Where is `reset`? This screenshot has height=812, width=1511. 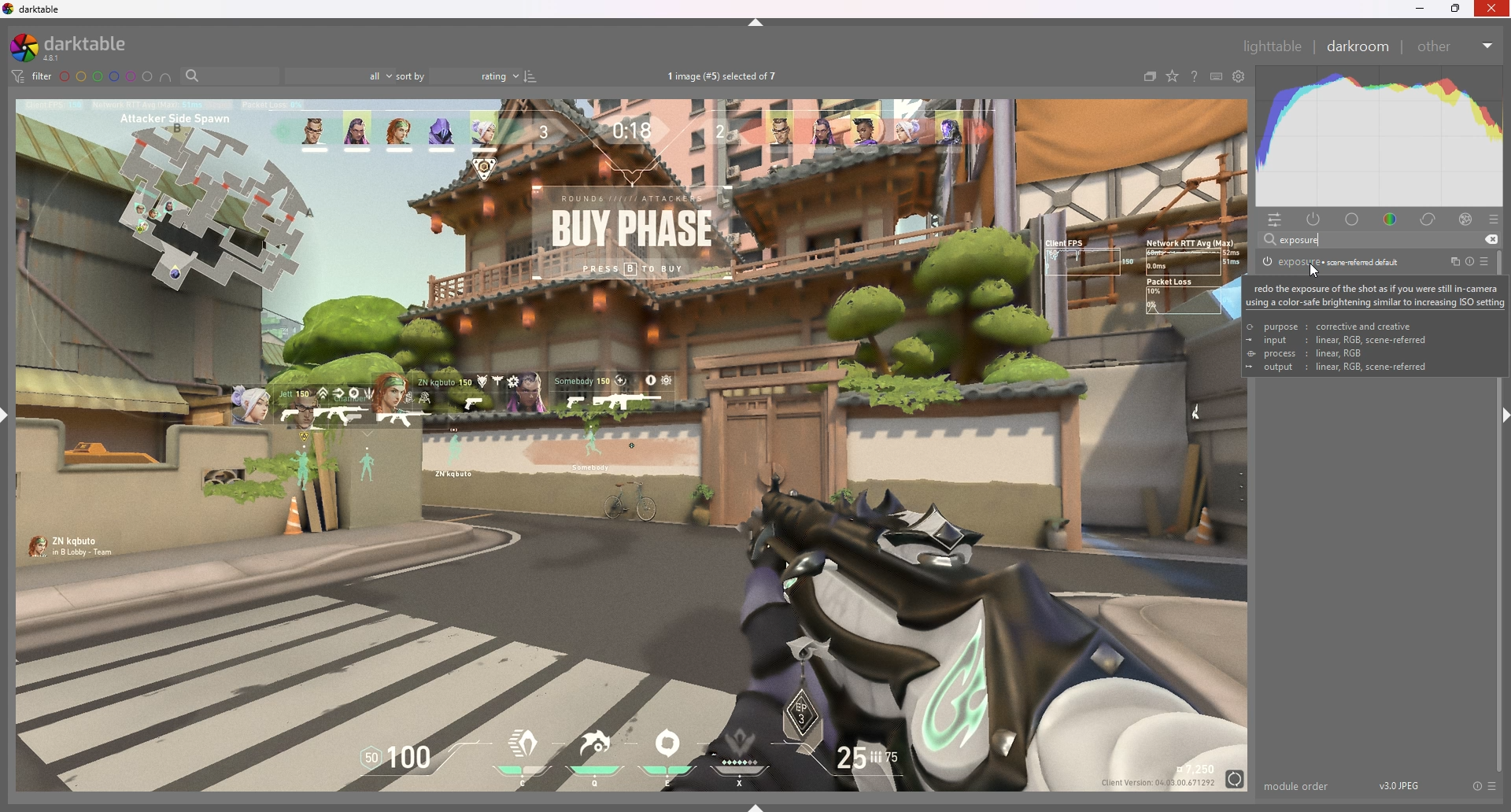
reset is located at coordinates (1469, 261).